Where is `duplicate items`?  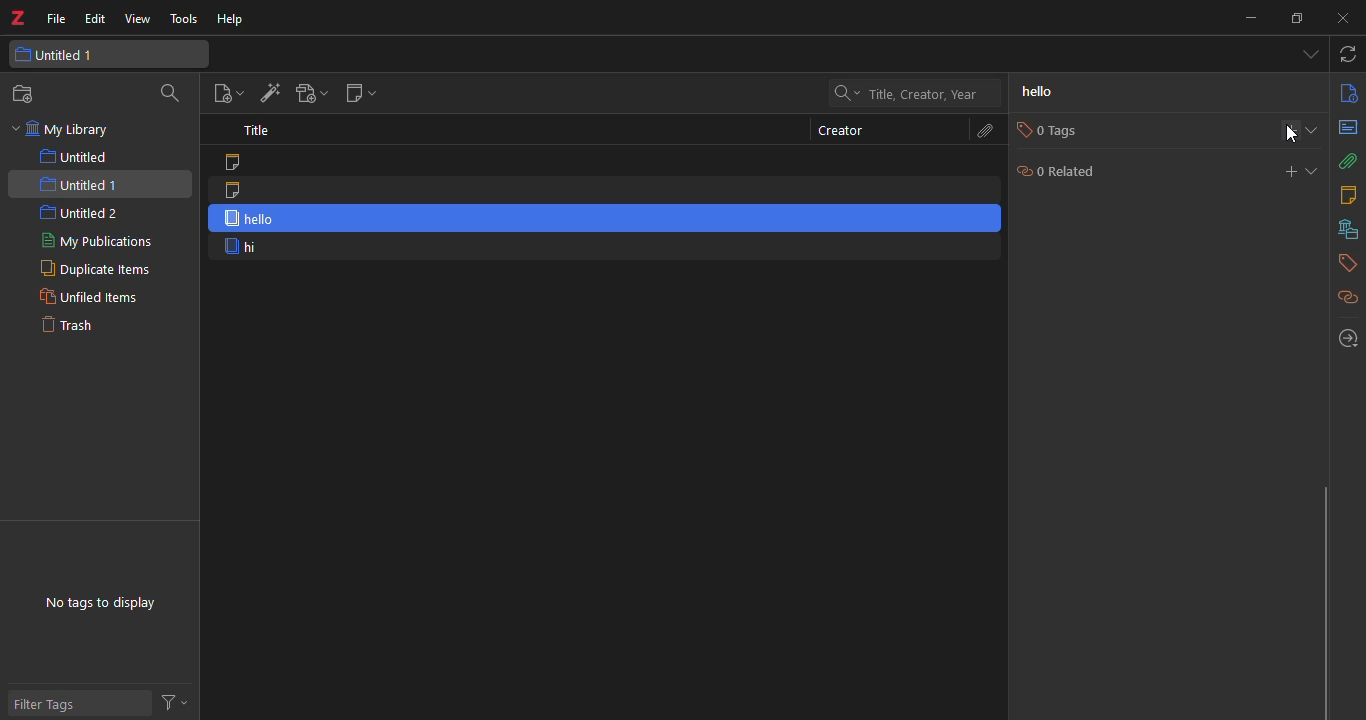
duplicate items is located at coordinates (91, 270).